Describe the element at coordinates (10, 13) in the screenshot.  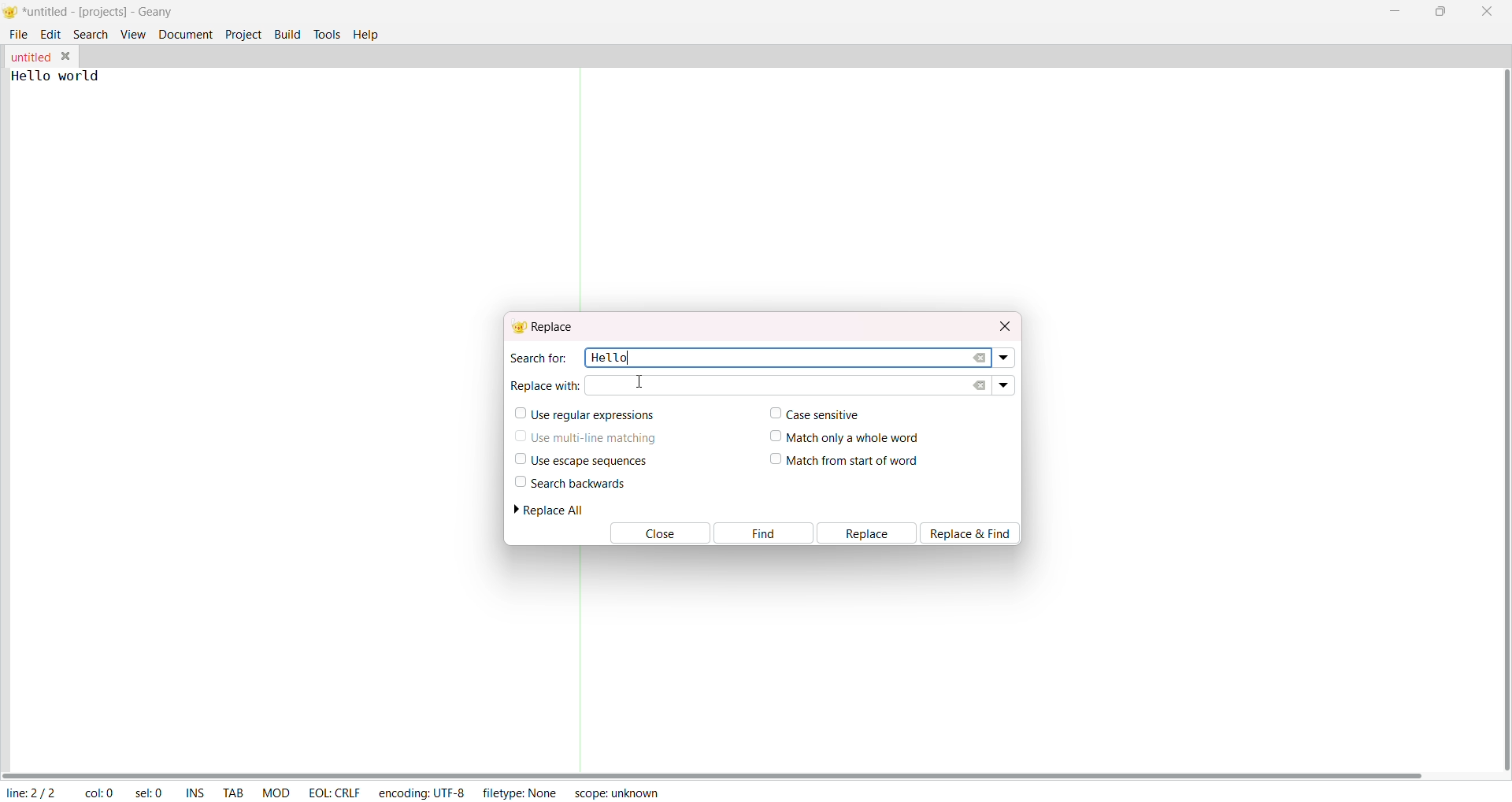
I see `logo` at that location.